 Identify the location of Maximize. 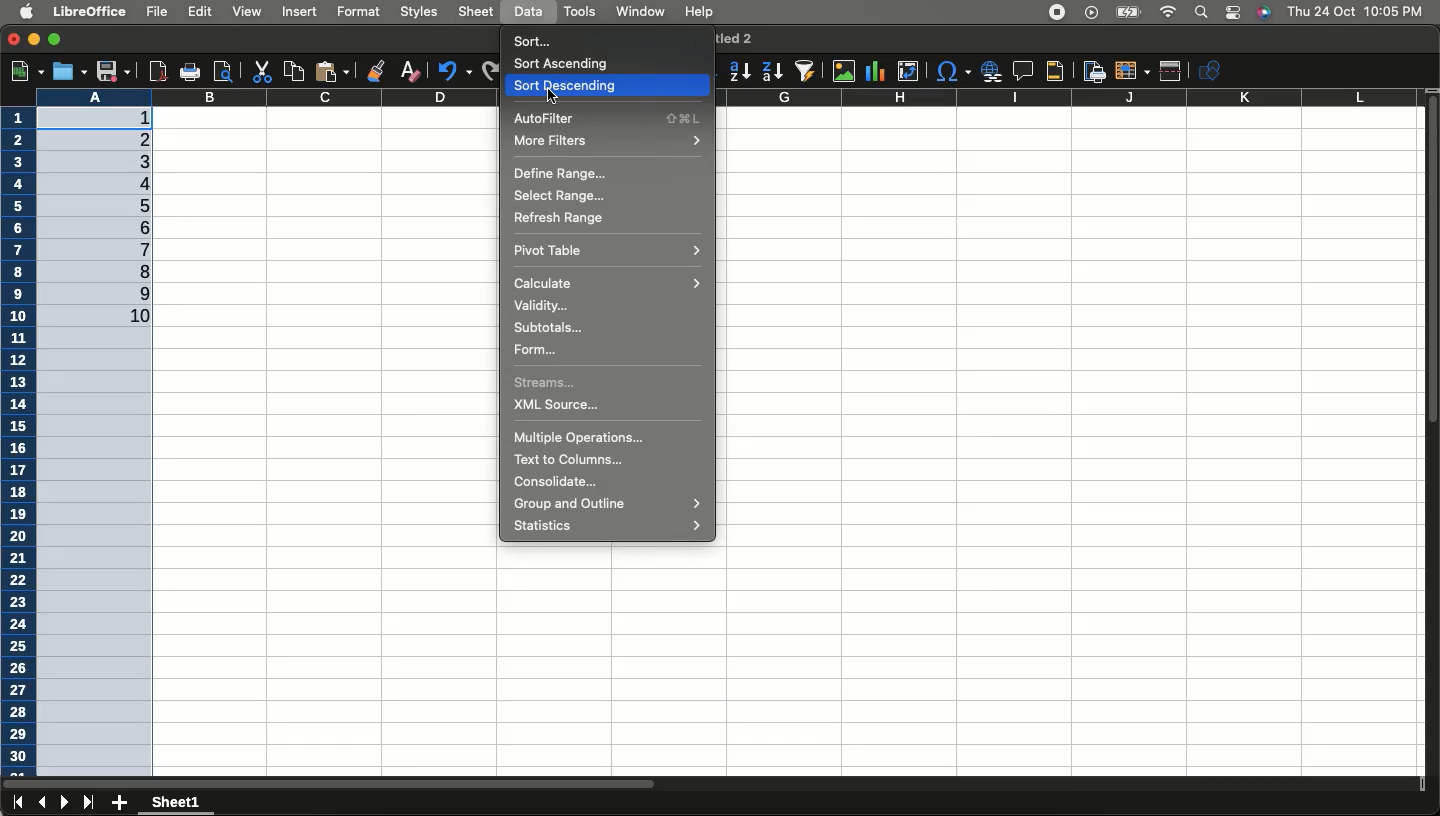
(55, 37).